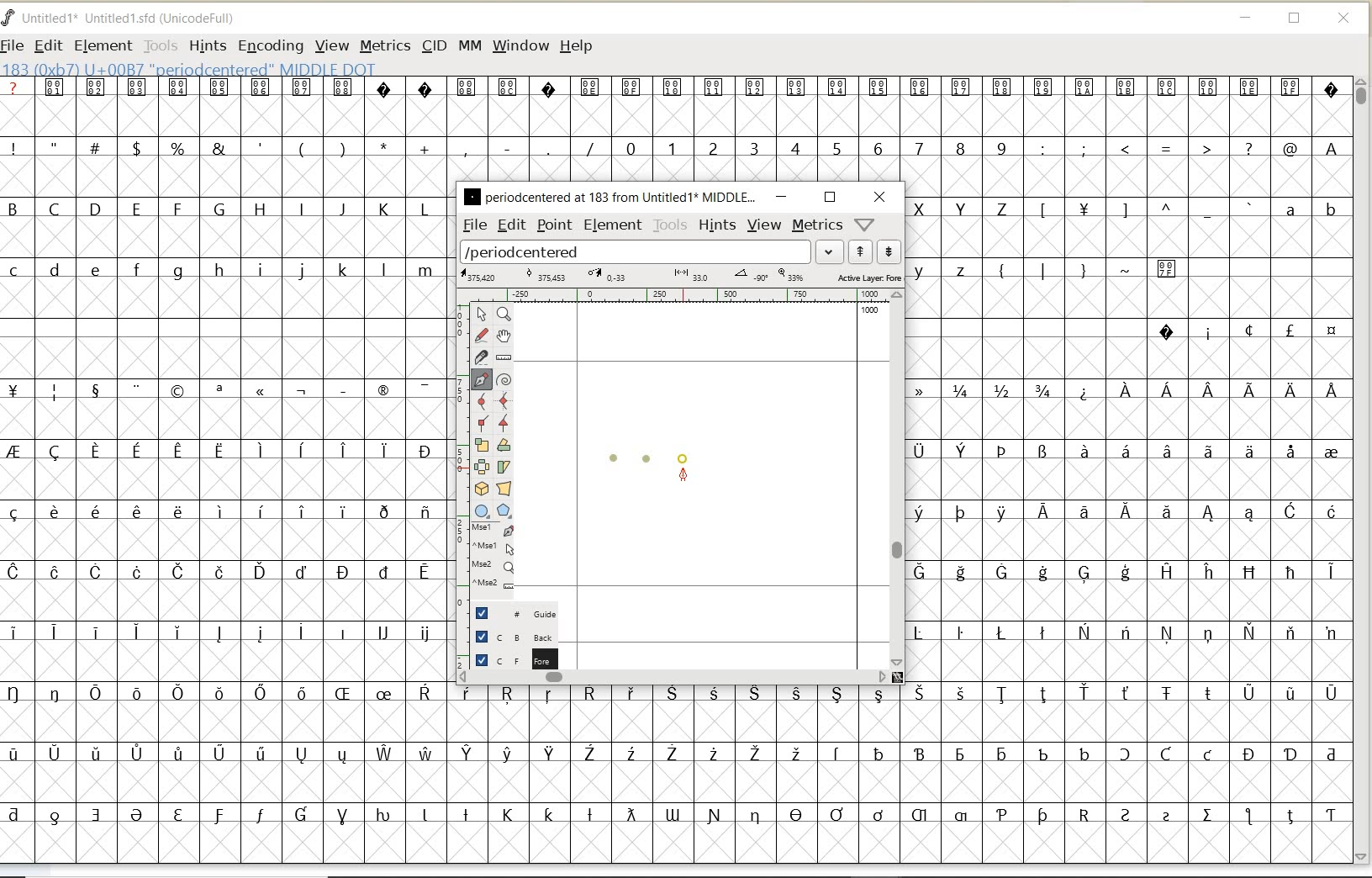 Image resolution: width=1372 pixels, height=878 pixels. What do you see at coordinates (504, 489) in the screenshot?
I see `perform a perspective transformation on the selection` at bounding box center [504, 489].